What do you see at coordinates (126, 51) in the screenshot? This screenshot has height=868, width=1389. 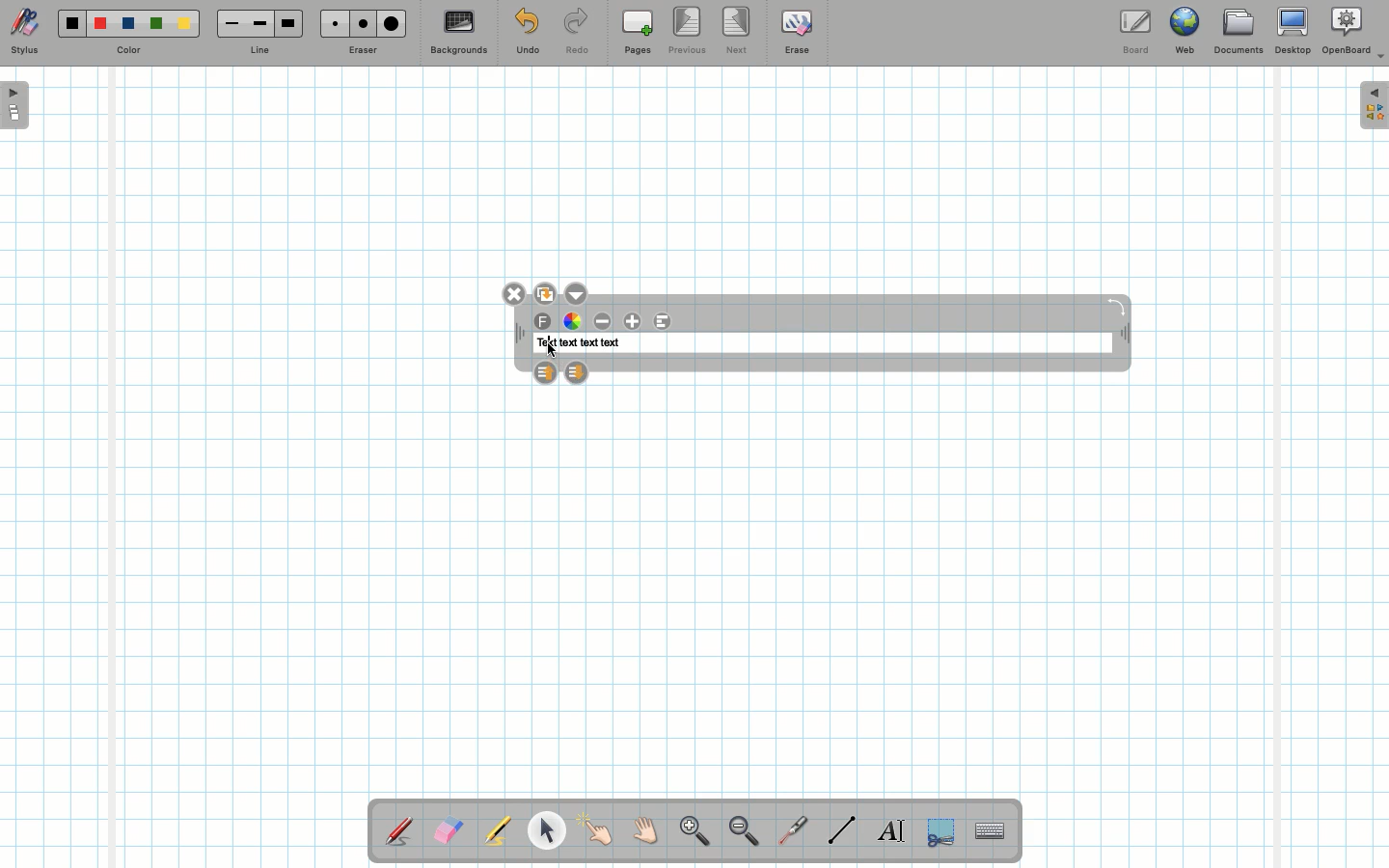 I see `Color` at bounding box center [126, 51].